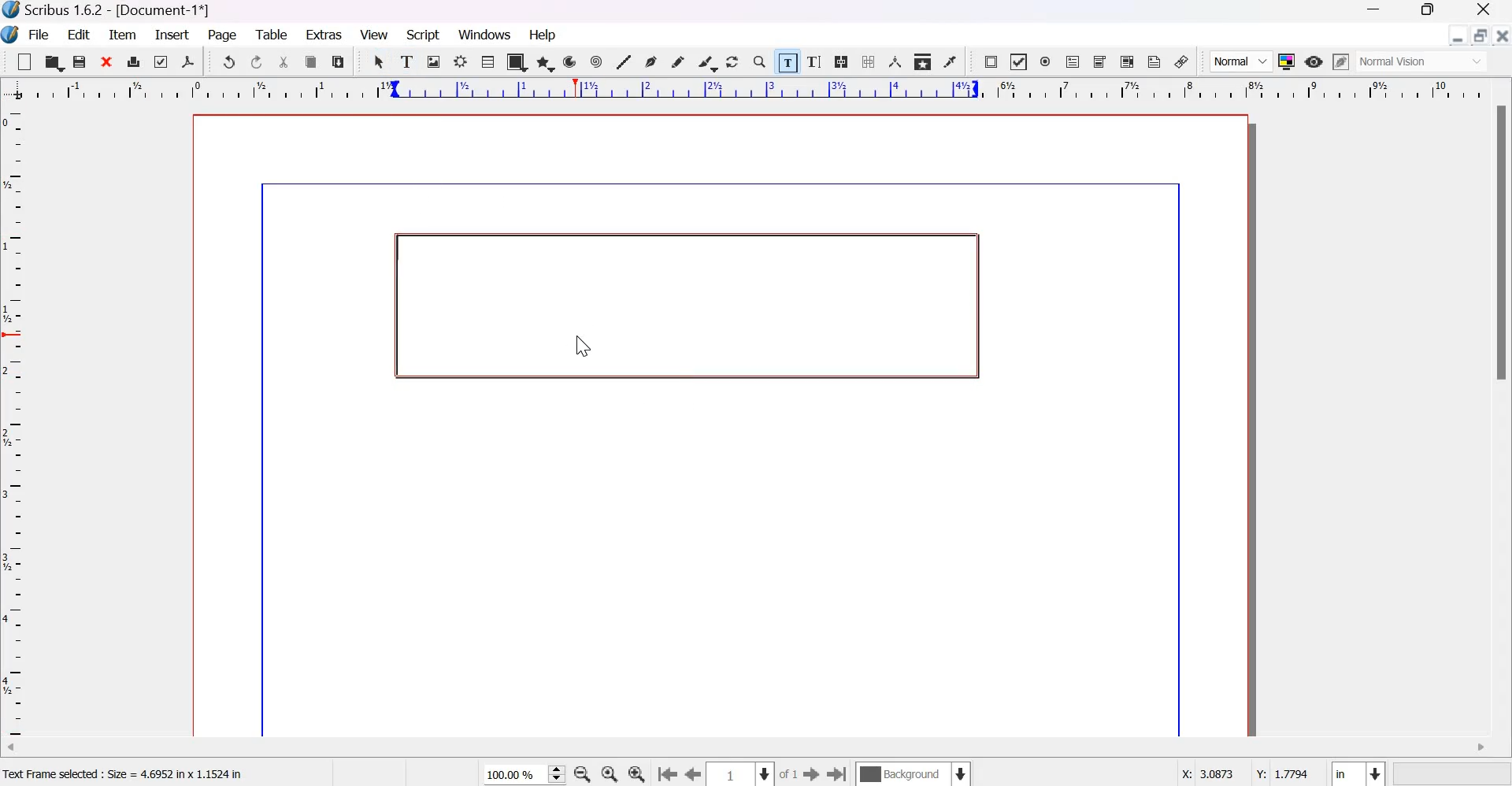  What do you see at coordinates (53, 61) in the screenshot?
I see `open` at bounding box center [53, 61].